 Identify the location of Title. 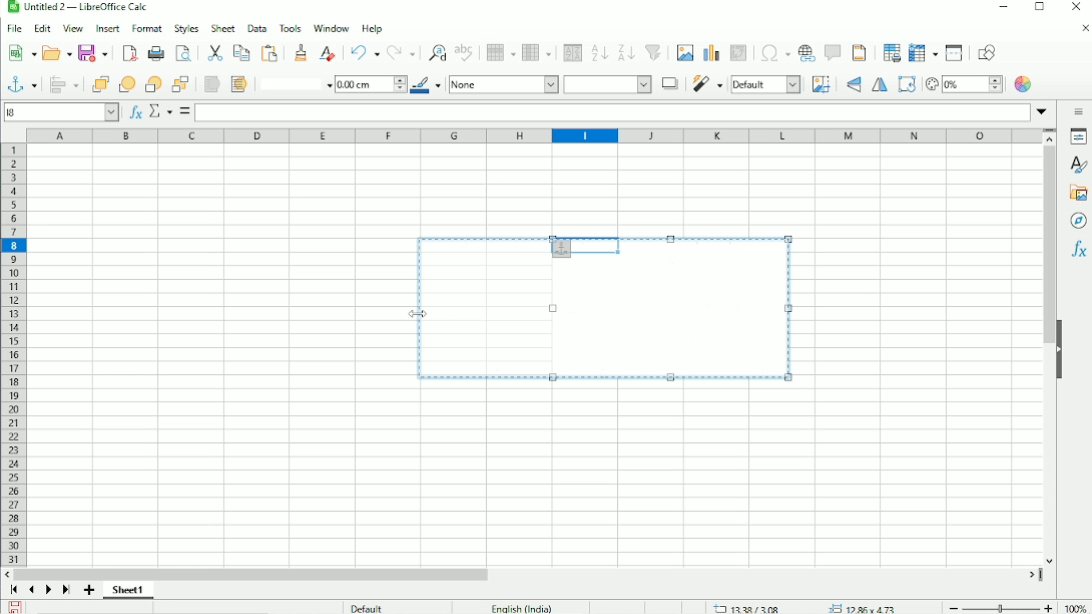
(79, 8).